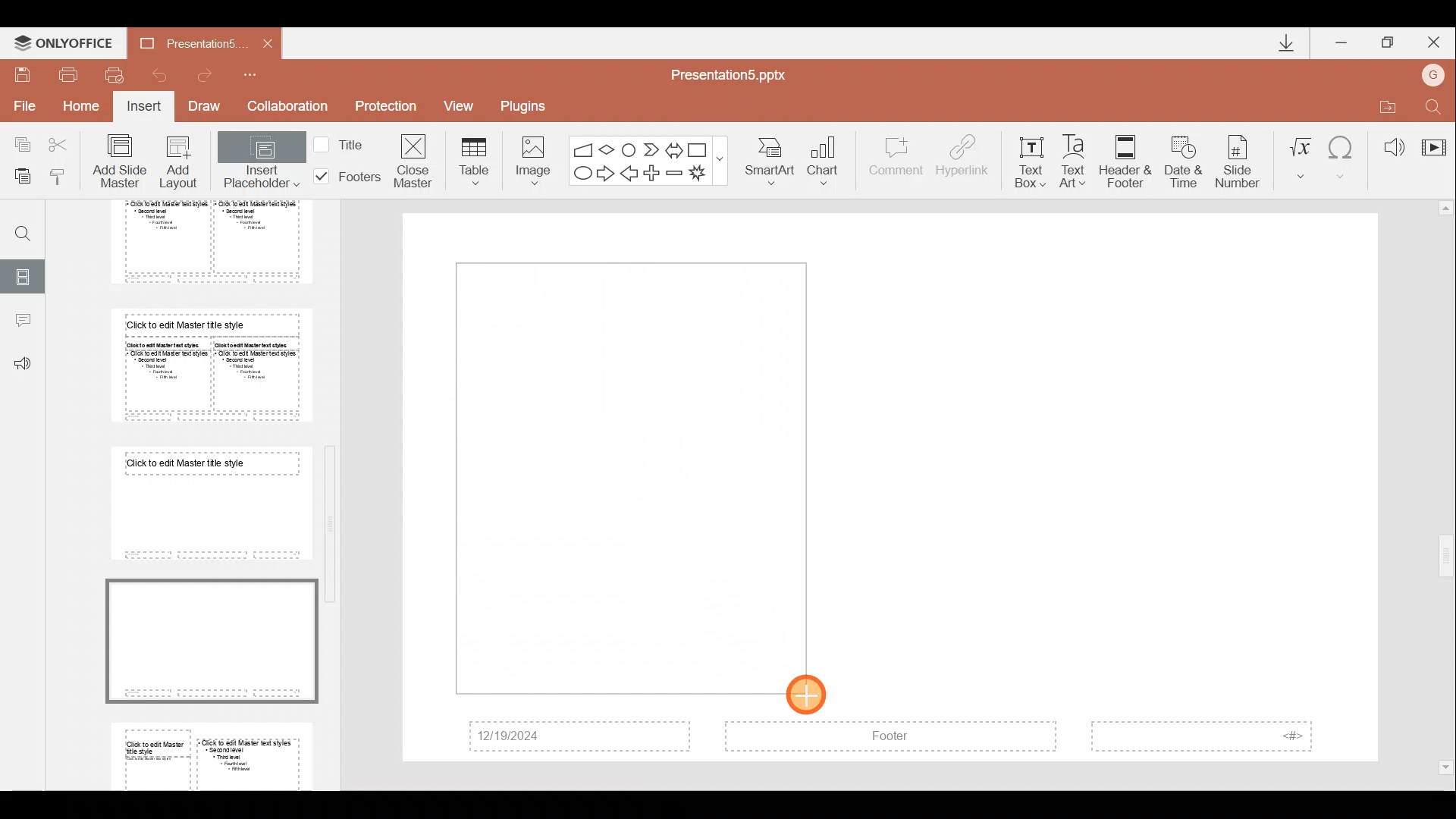  I want to click on Ellipse, so click(581, 174).